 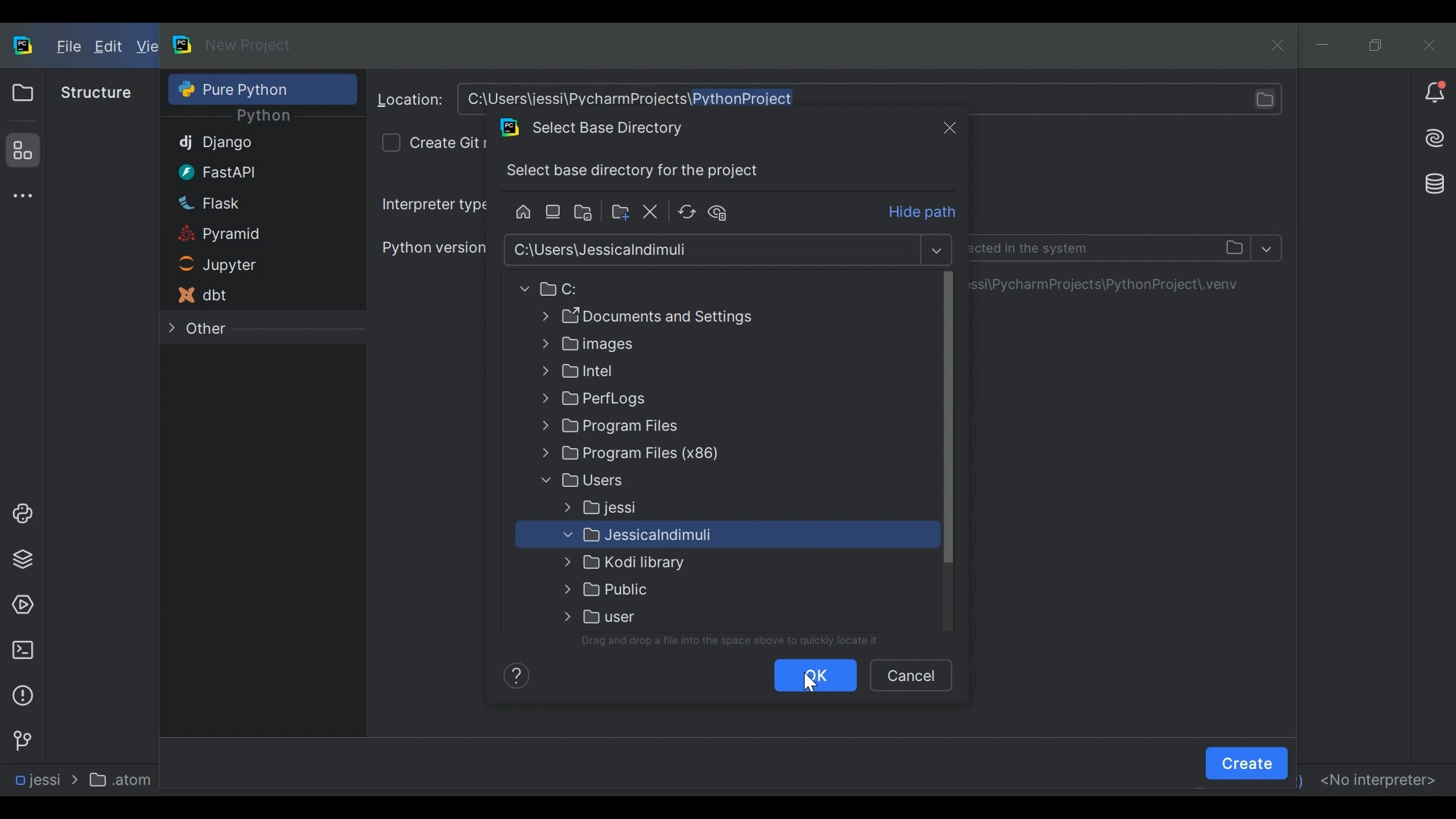 What do you see at coordinates (410, 100) in the screenshot?
I see `Location` at bounding box center [410, 100].